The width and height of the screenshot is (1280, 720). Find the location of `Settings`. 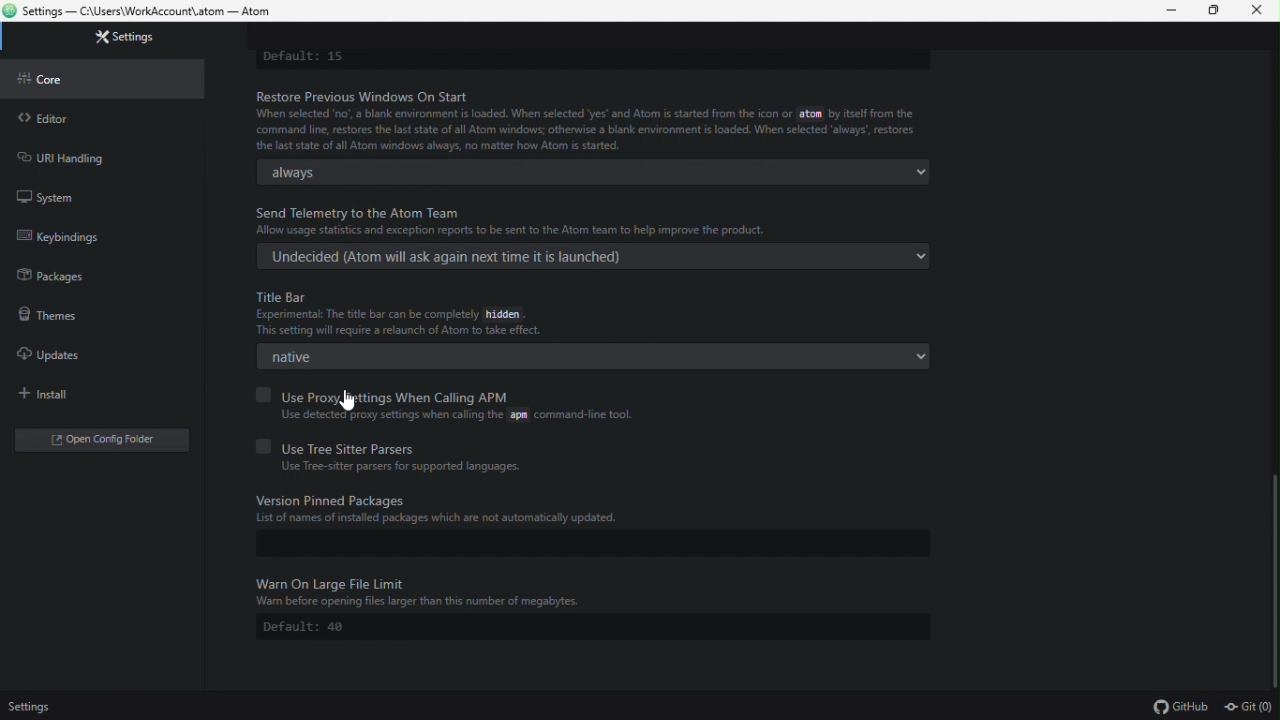

Settings is located at coordinates (38, 707).